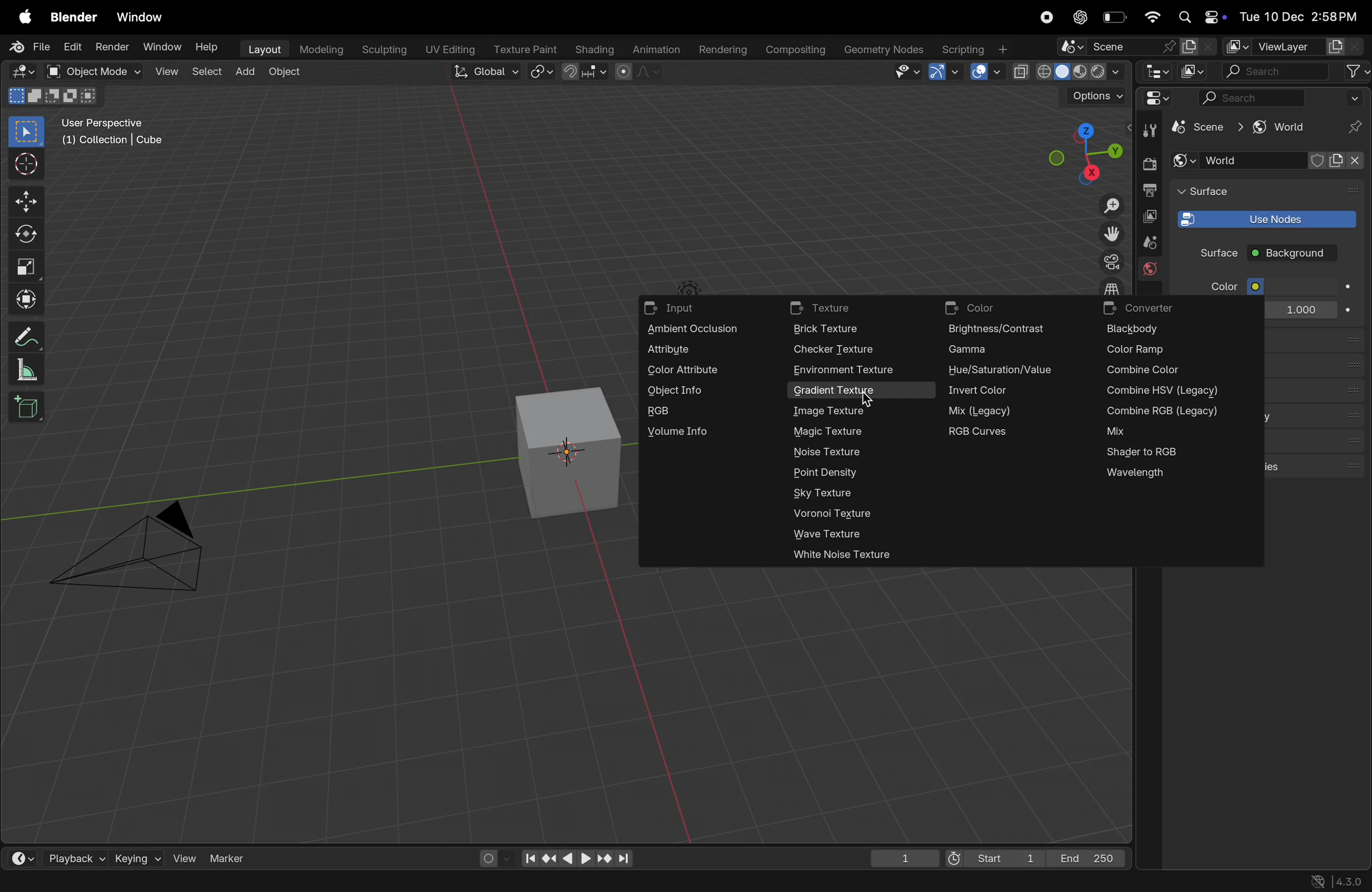 The height and width of the screenshot is (892, 1372). What do you see at coordinates (836, 474) in the screenshot?
I see `Point density` at bounding box center [836, 474].